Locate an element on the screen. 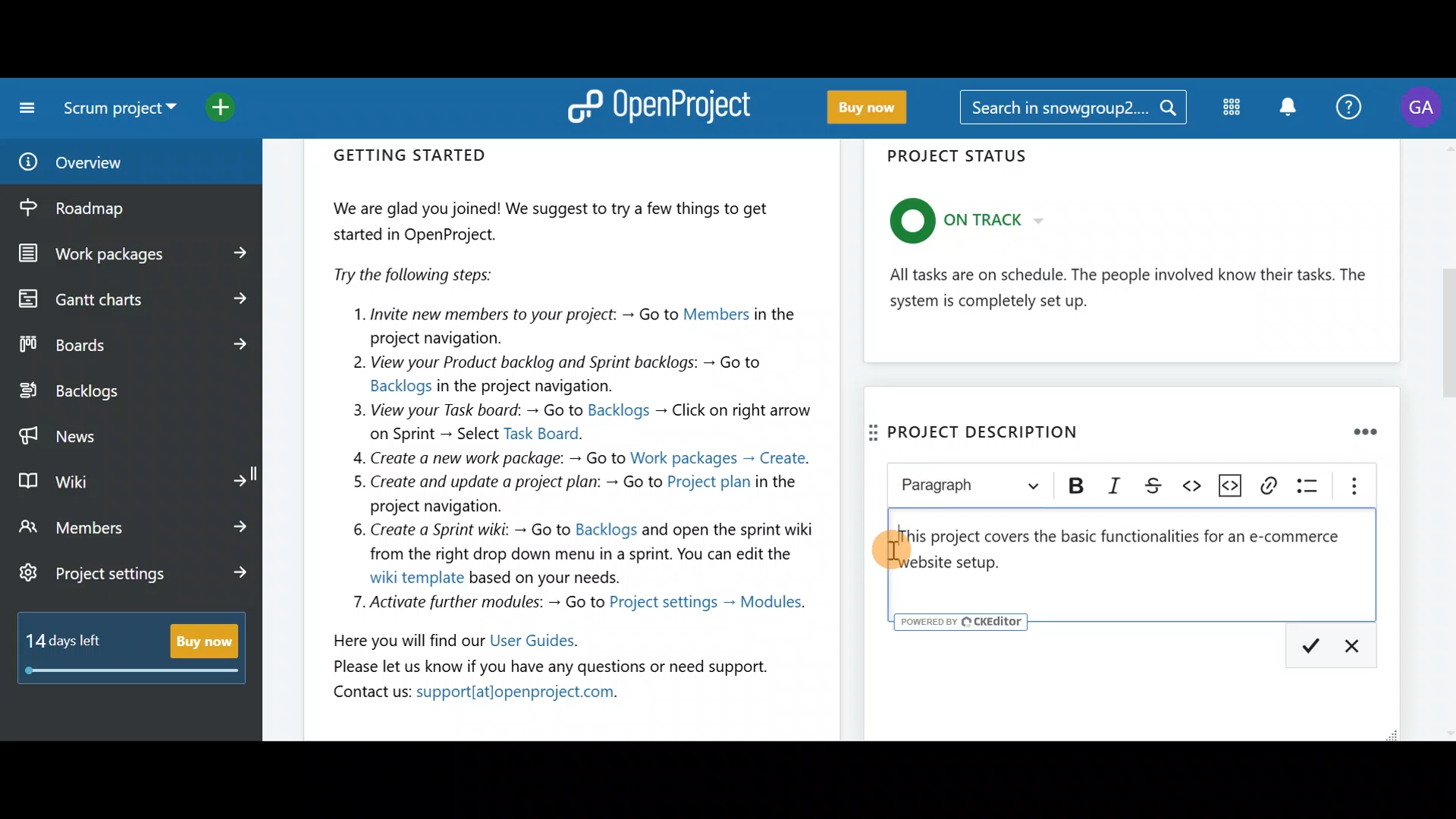  Buy now is located at coordinates (877, 108).